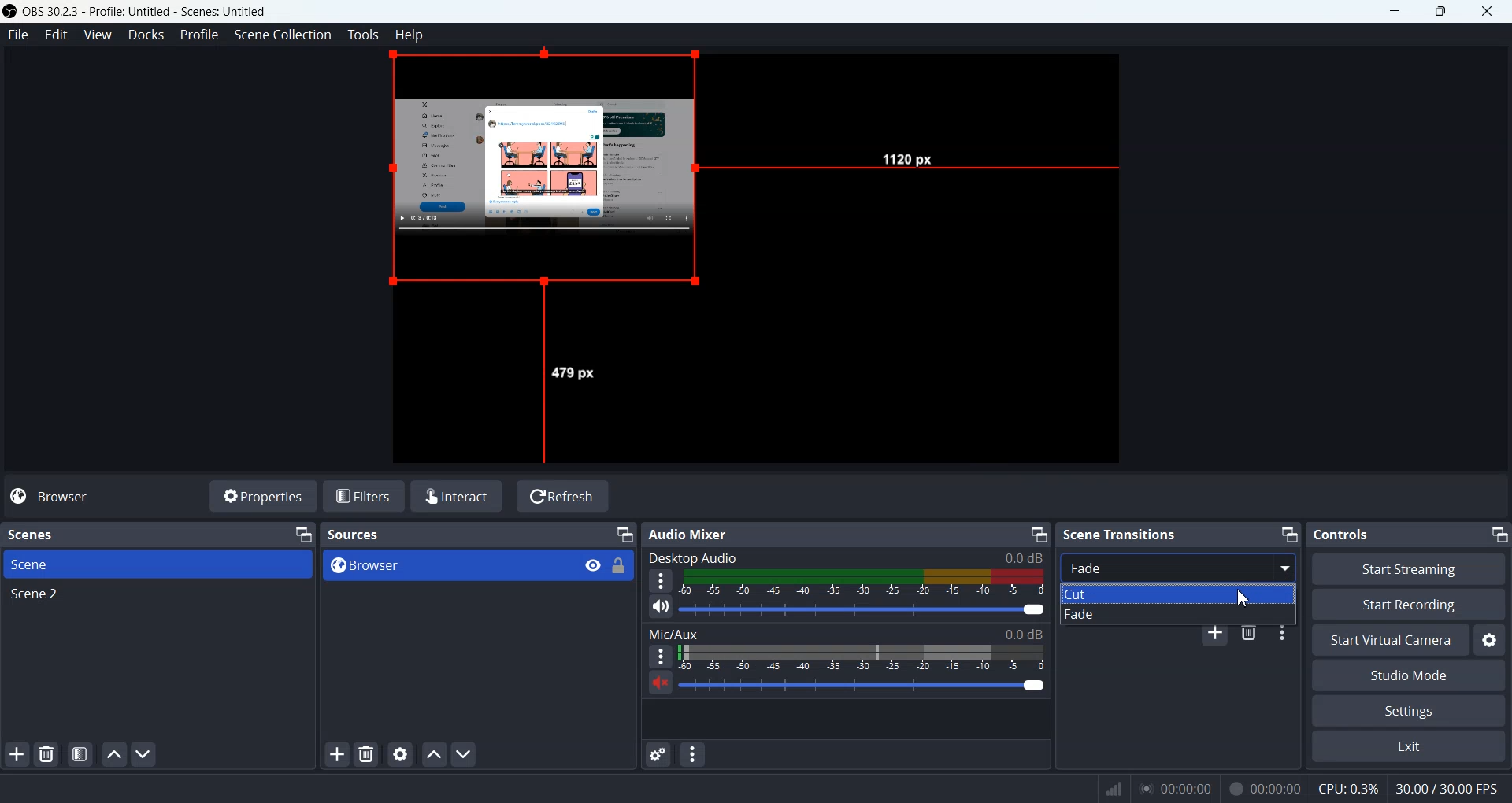  Describe the element at coordinates (661, 606) in the screenshot. I see `Mute/ Unmute` at that location.